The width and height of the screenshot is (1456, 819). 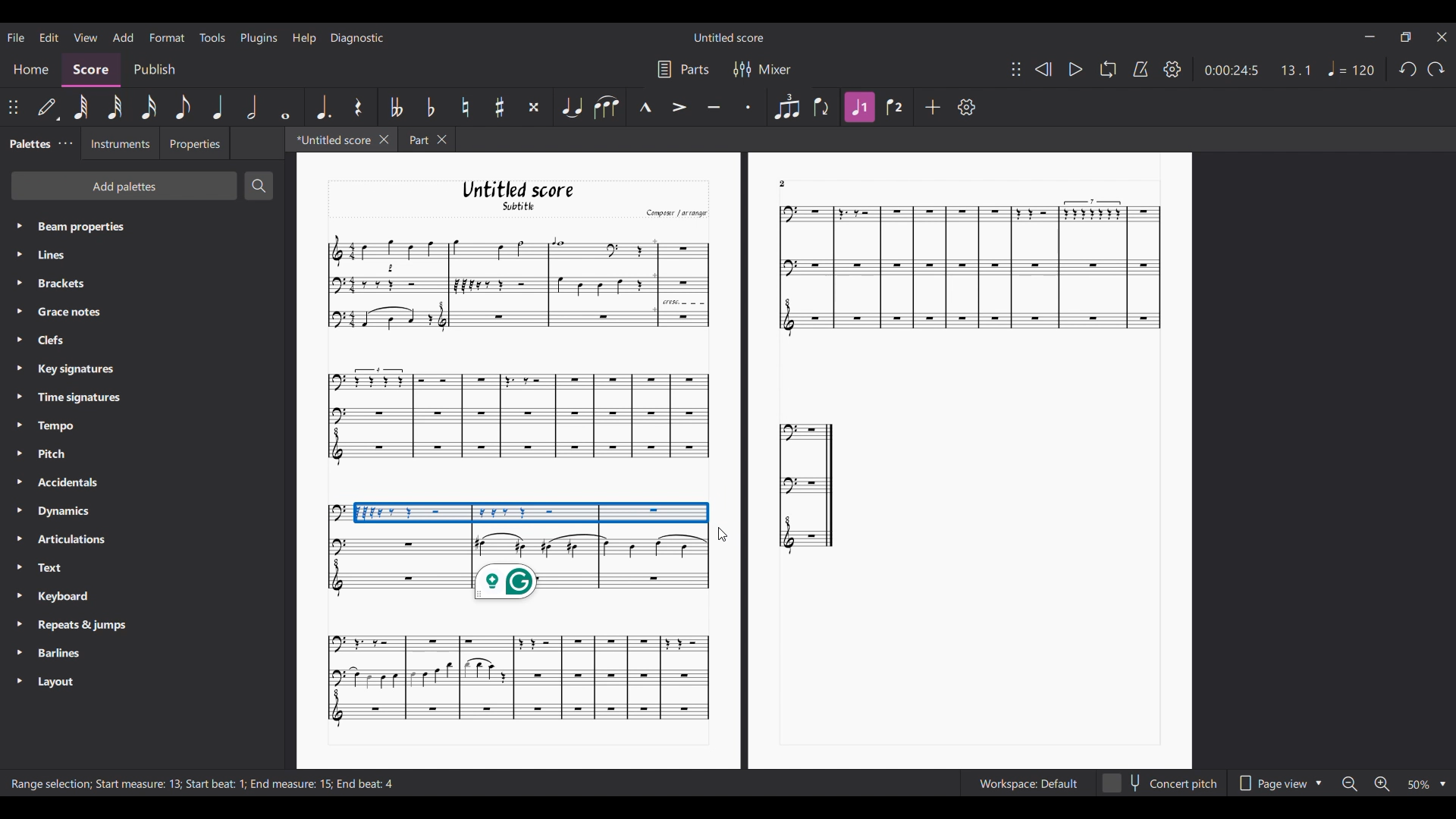 I want to click on View menu, so click(x=86, y=36).